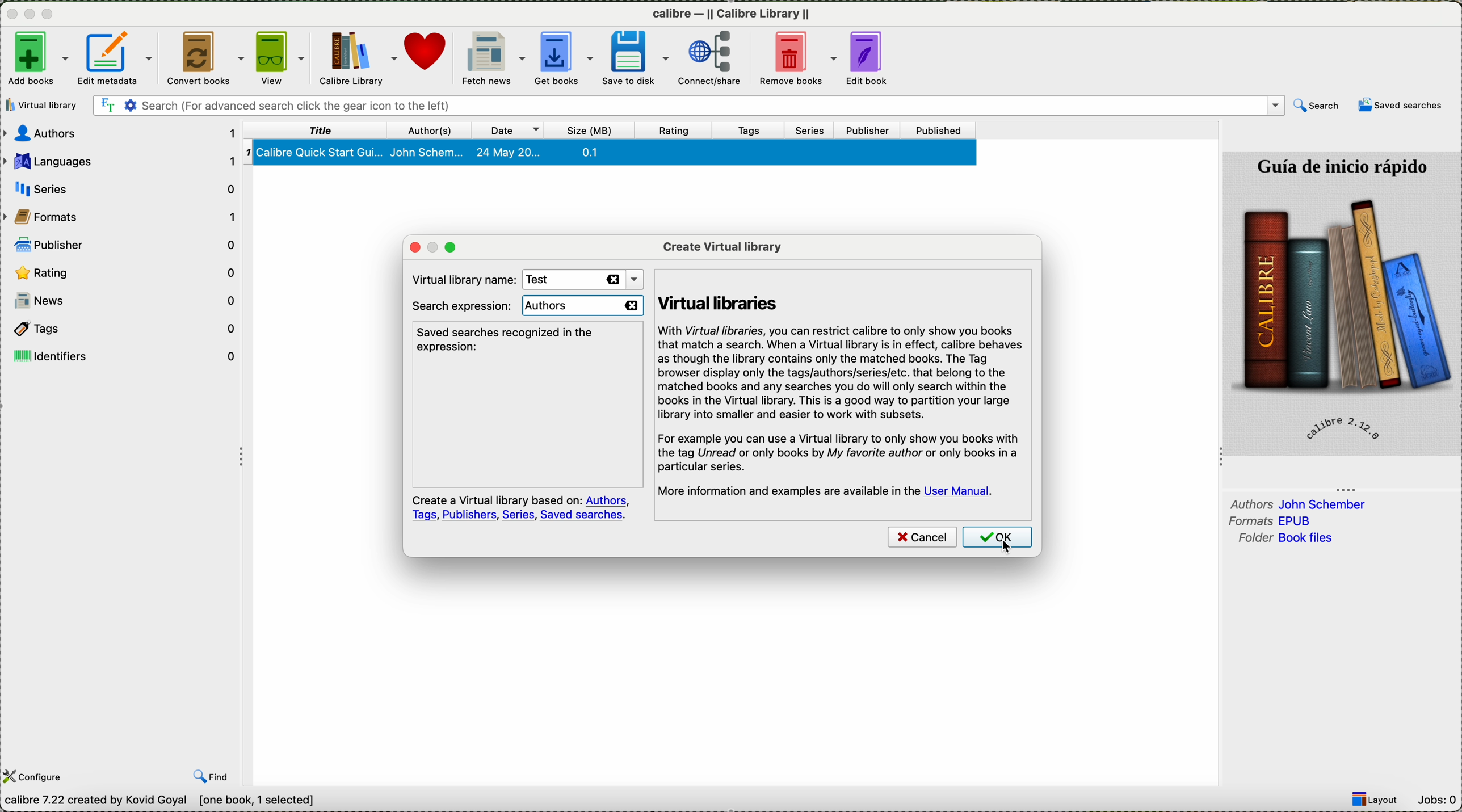  What do you see at coordinates (871, 131) in the screenshot?
I see `publisher` at bounding box center [871, 131].